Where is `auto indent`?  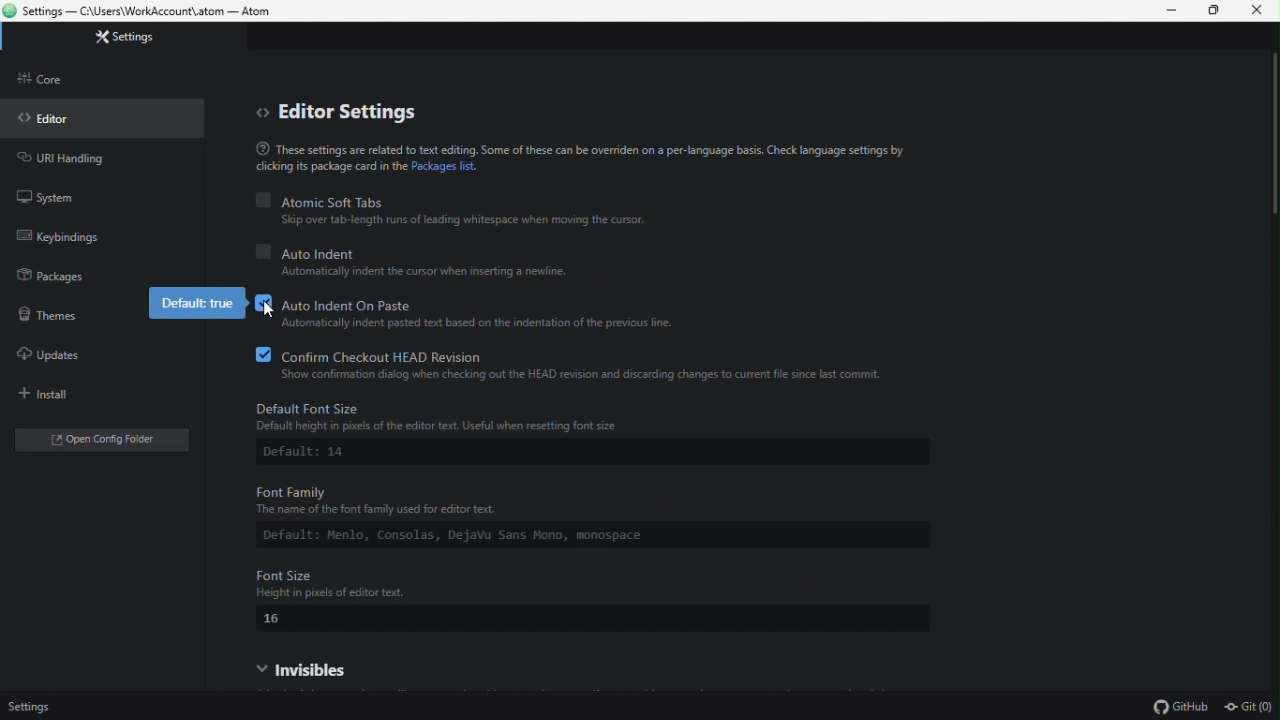 auto indent is located at coordinates (434, 252).